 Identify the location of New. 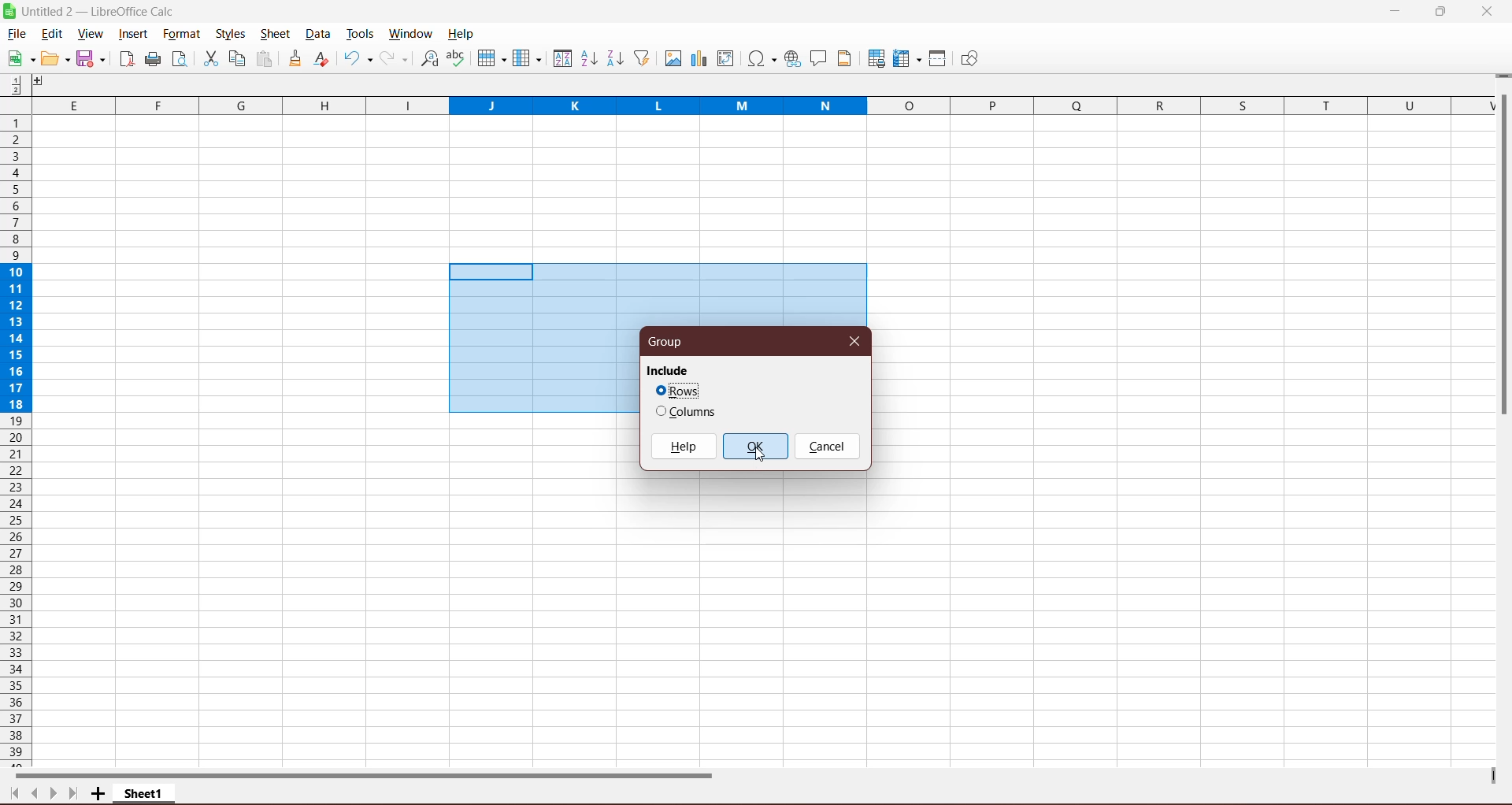
(19, 59).